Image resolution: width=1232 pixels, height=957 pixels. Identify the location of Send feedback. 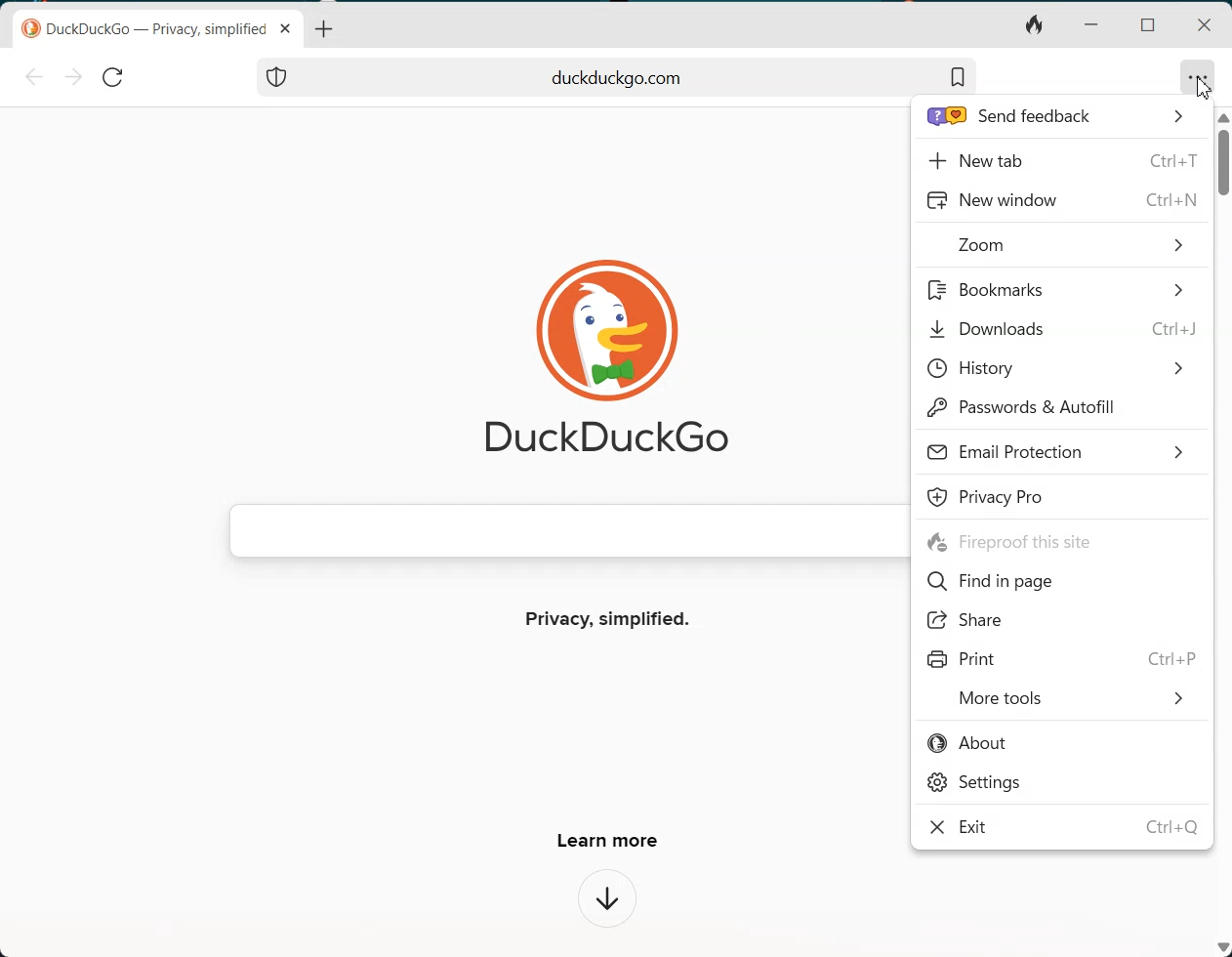
(1061, 117).